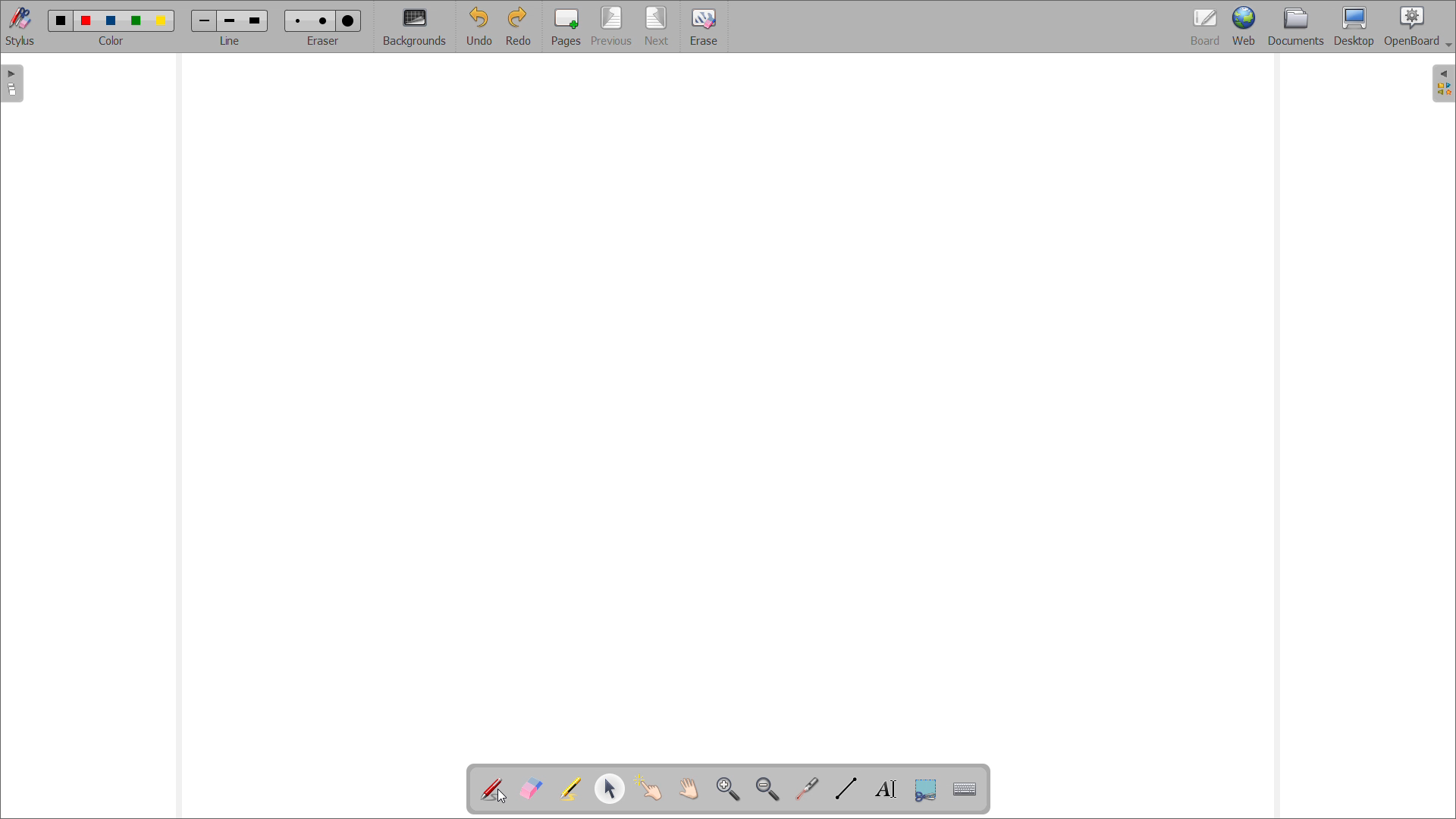  What do you see at coordinates (494, 789) in the screenshot?
I see `add annotation` at bounding box center [494, 789].